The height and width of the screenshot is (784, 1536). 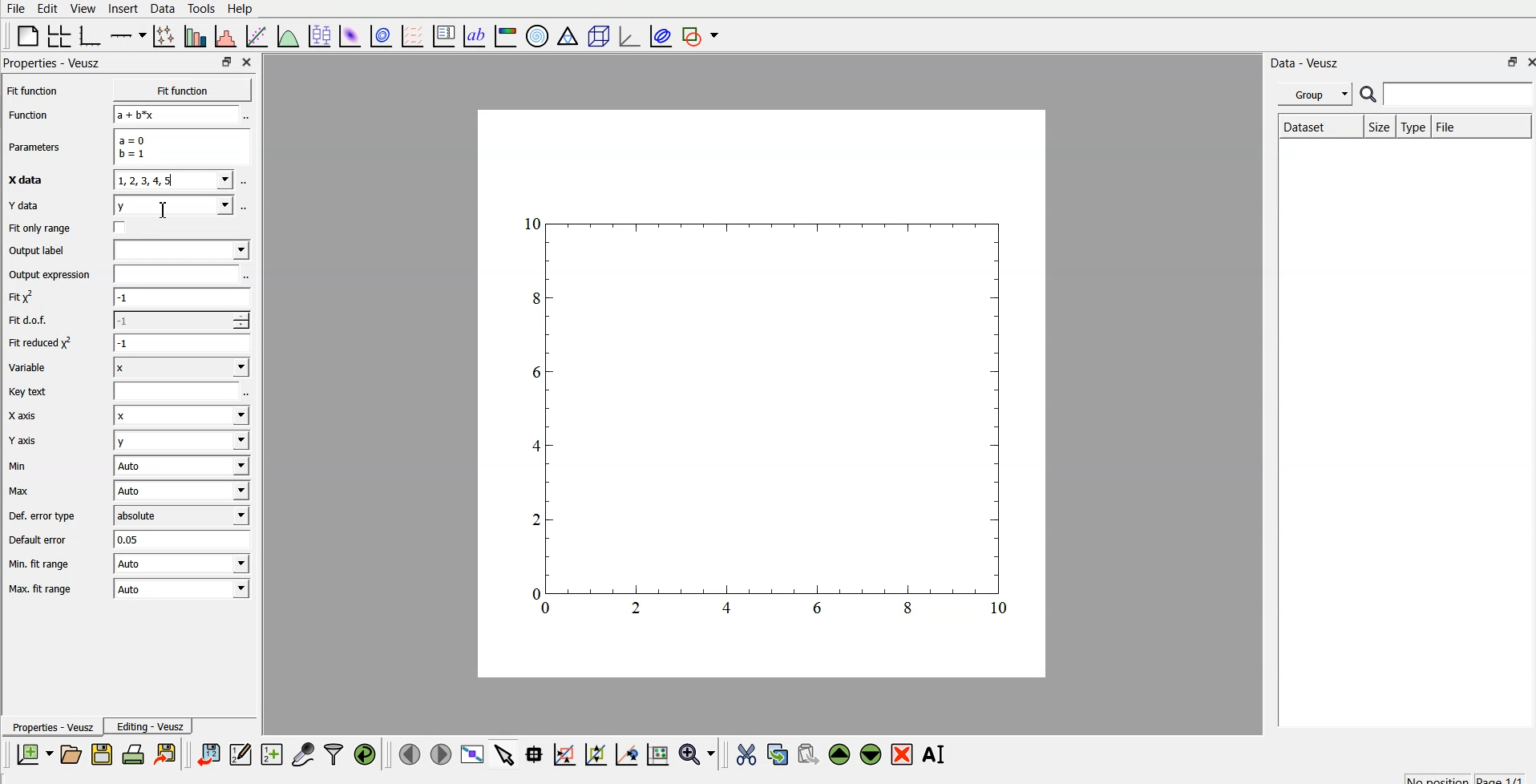 I want to click on print, so click(x=134, y=755).